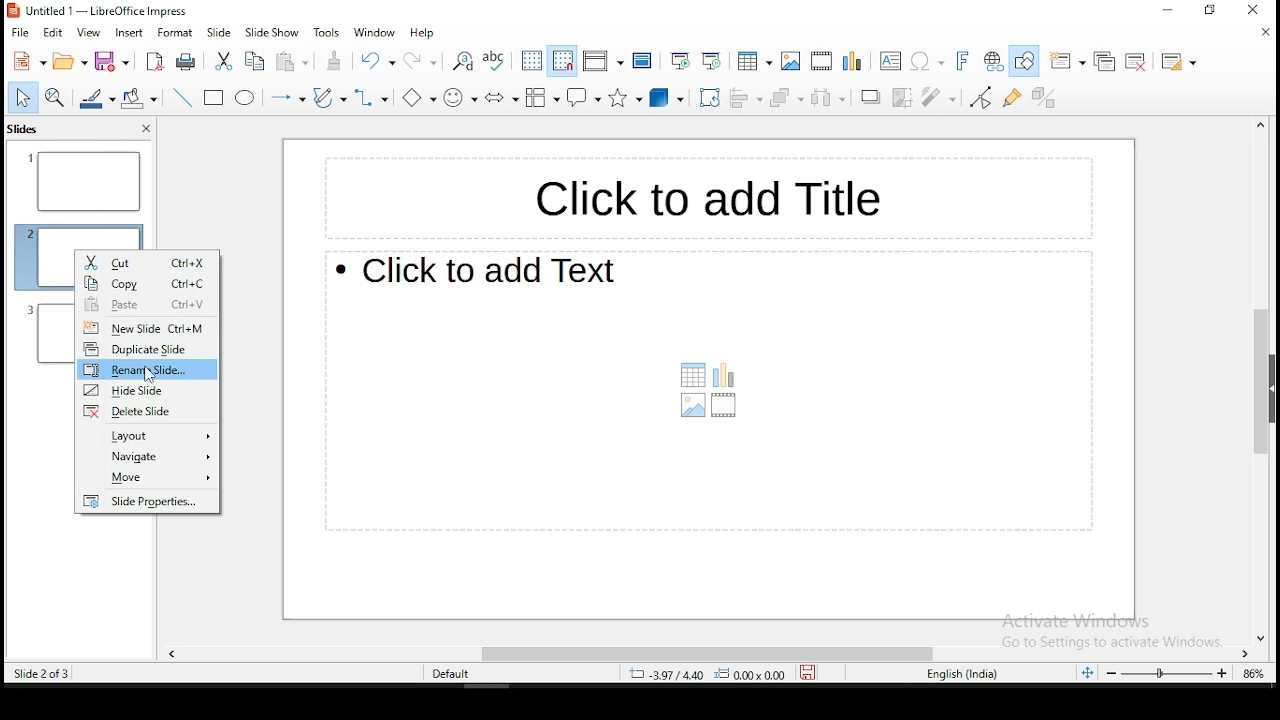  What do you see at coordinates (540, 99) in the screenshot?
I see `flowchart` at bounding box center [540, 99].